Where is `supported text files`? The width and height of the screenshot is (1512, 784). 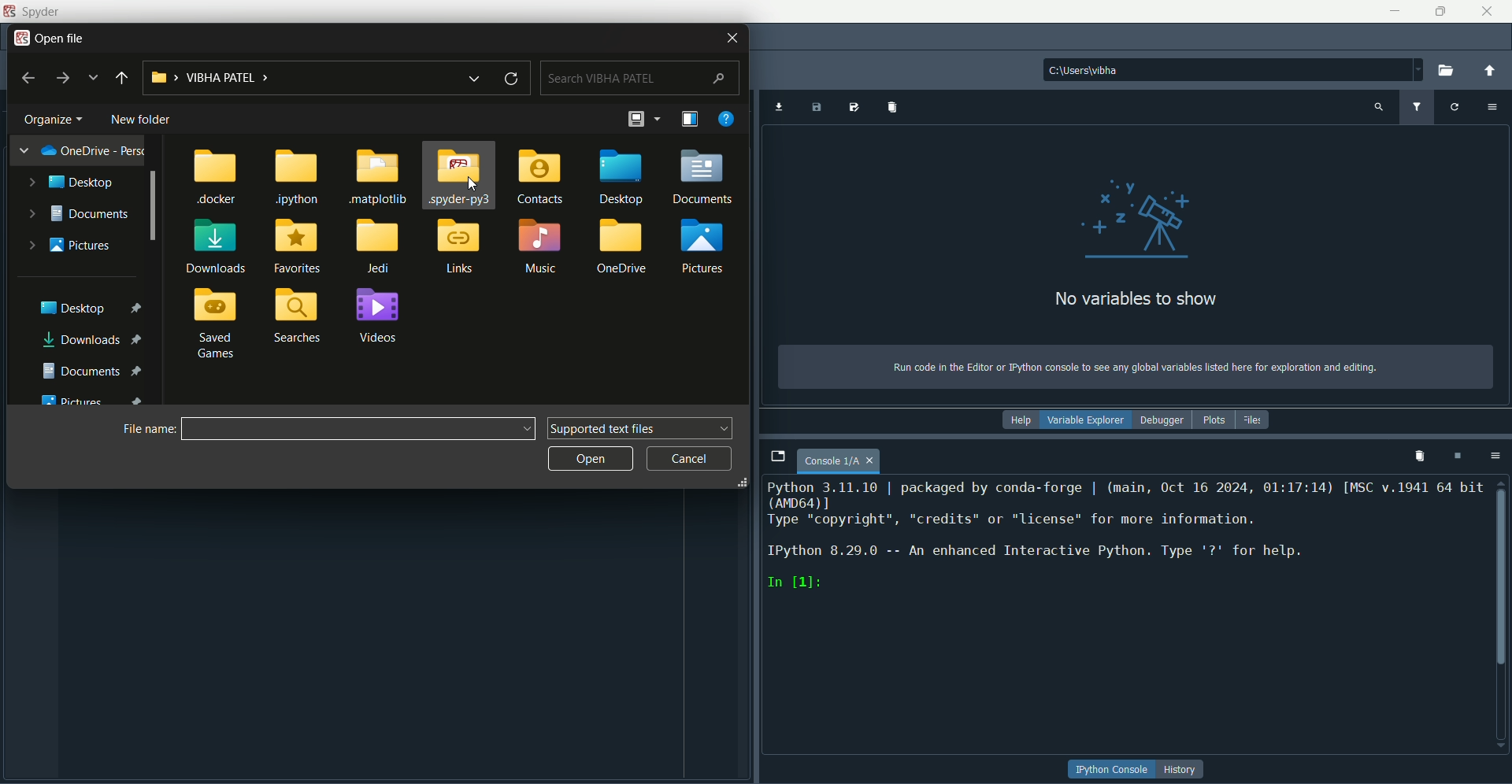
supported text files is located at coordinates (642, 427).